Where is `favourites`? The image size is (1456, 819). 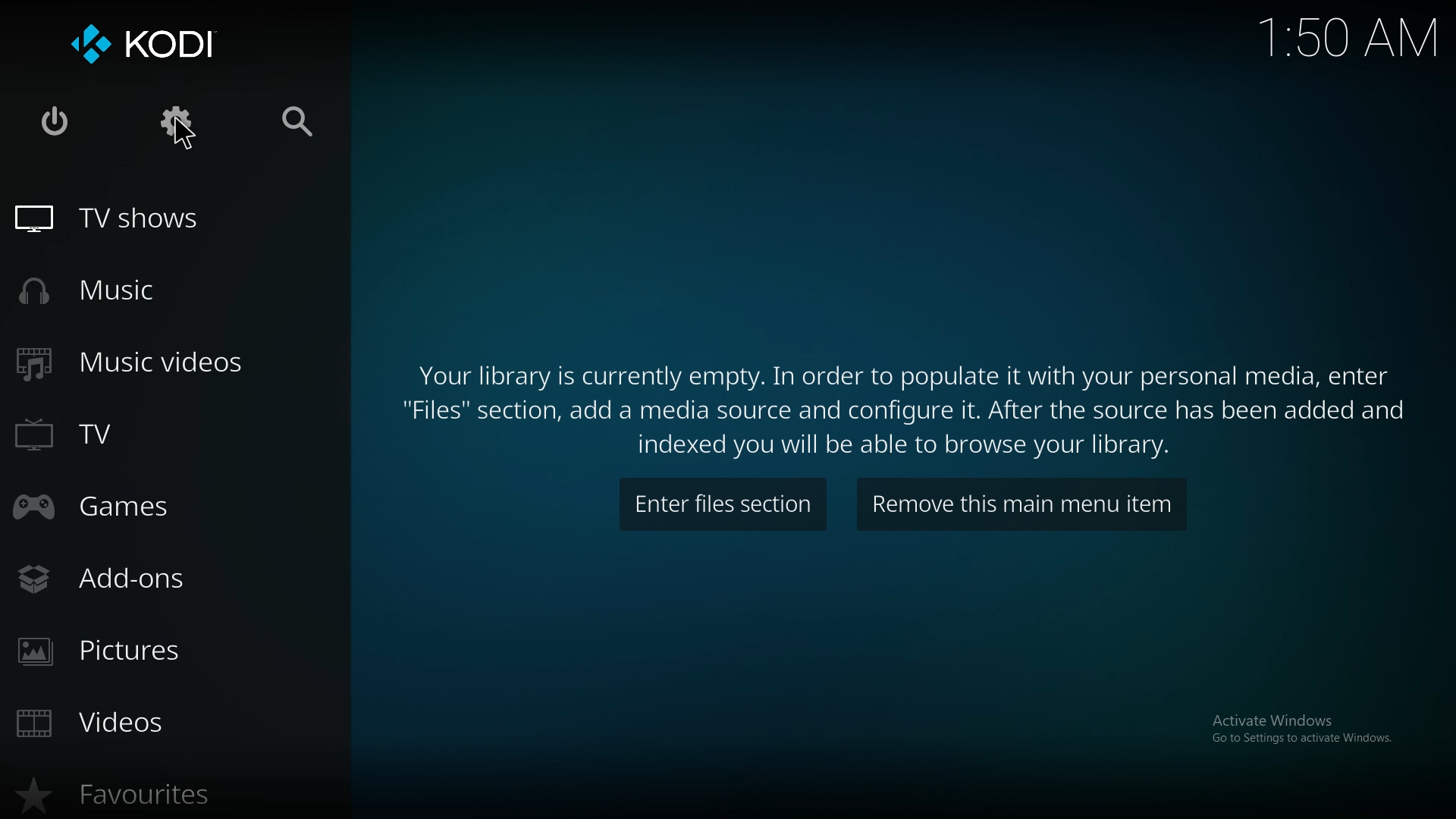
favourites is located at coordinates (123, 792).